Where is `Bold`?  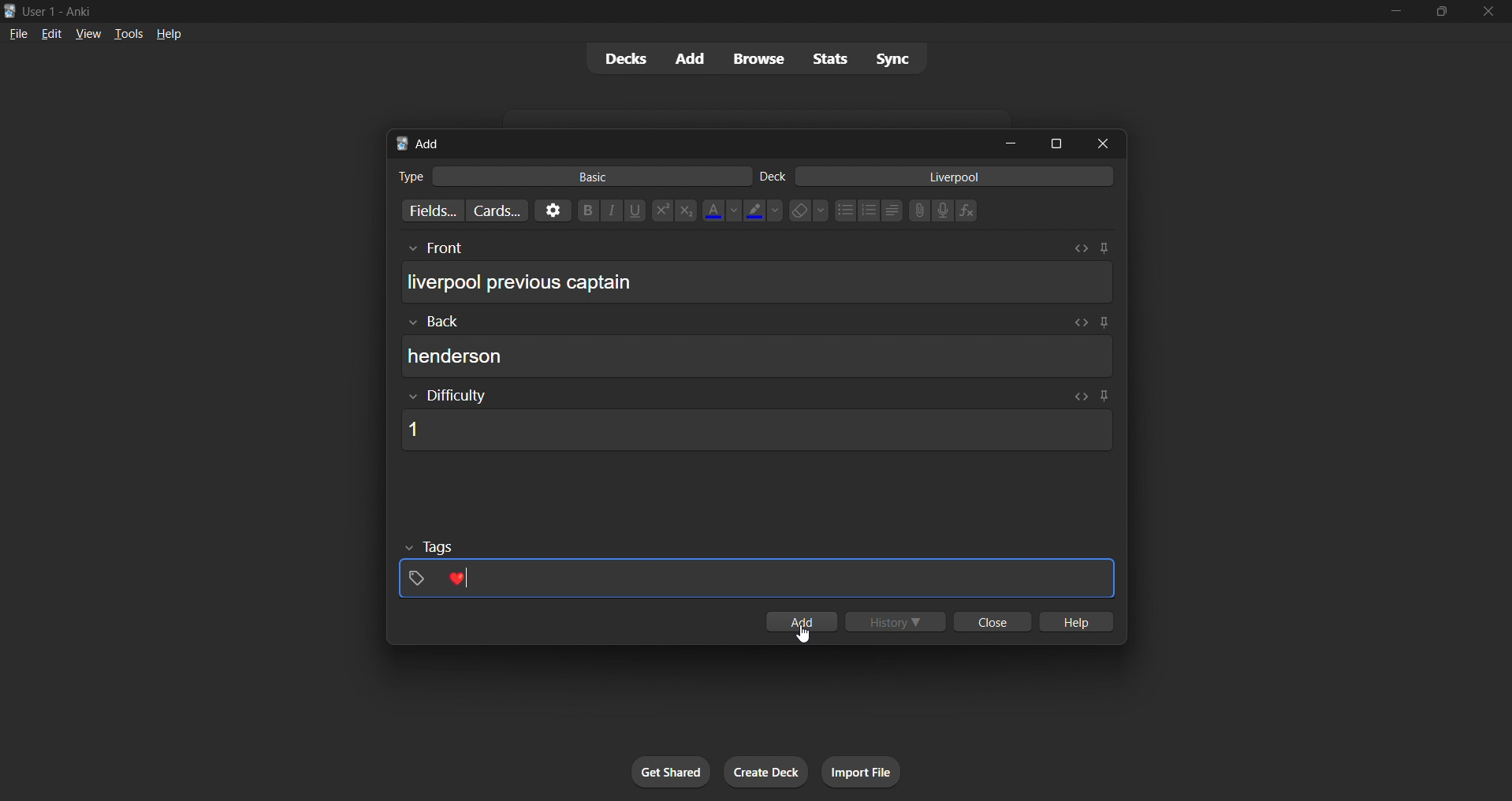 Bold is located at coordinates (587, 209).